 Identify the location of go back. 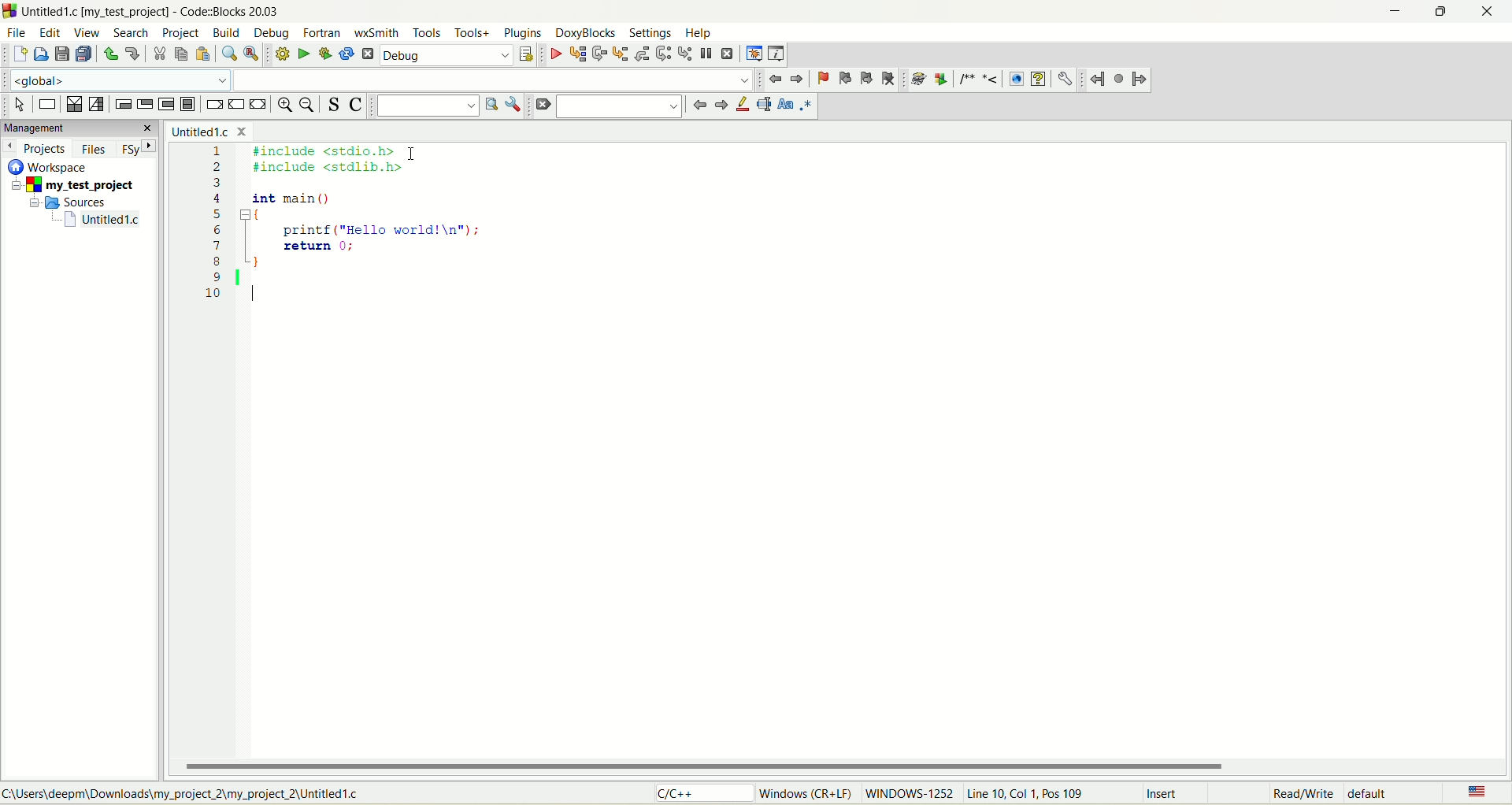
(776, 78).